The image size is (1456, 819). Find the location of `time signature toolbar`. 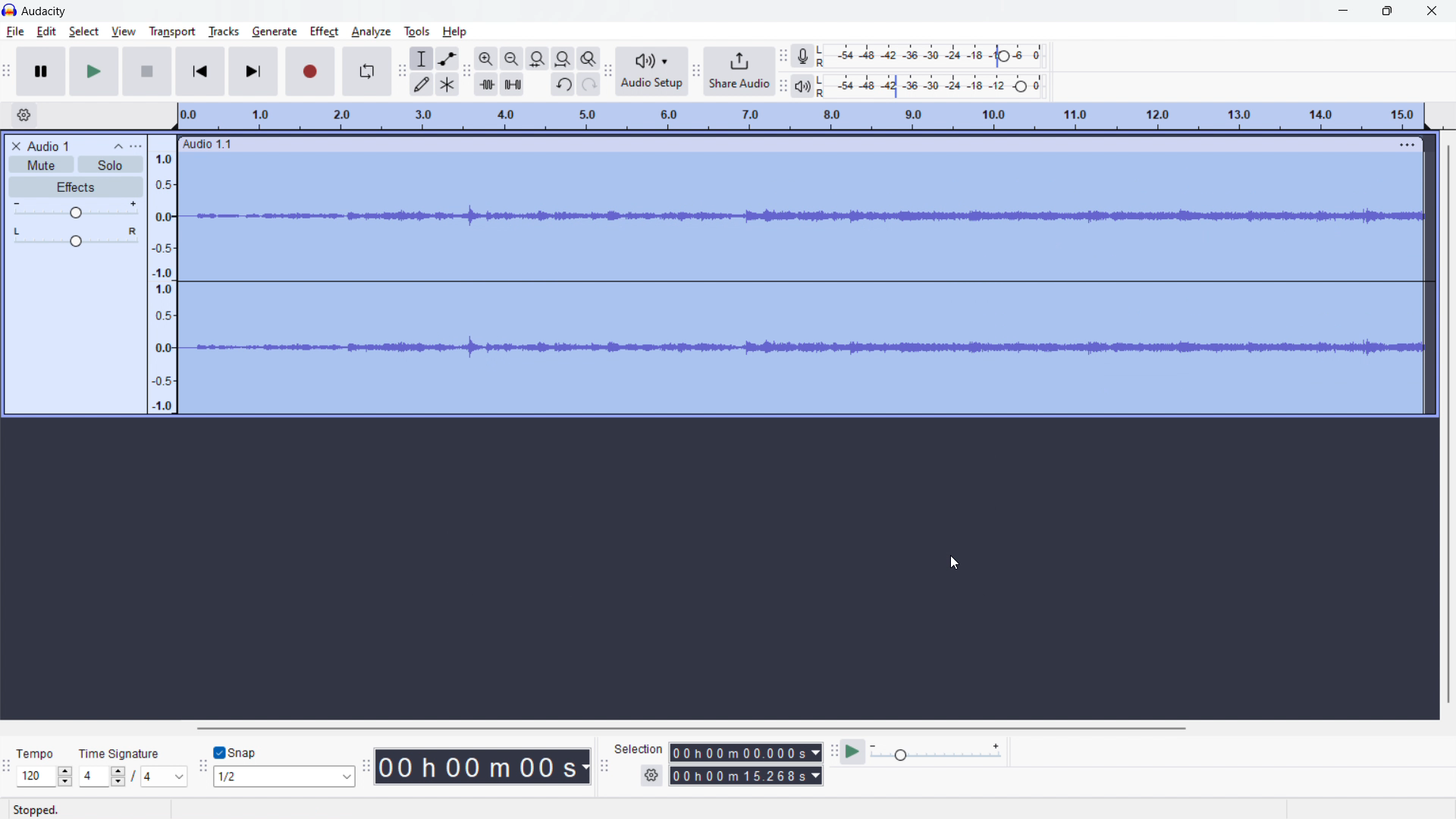

time signature toolbar is located at coordinates (8, 769).